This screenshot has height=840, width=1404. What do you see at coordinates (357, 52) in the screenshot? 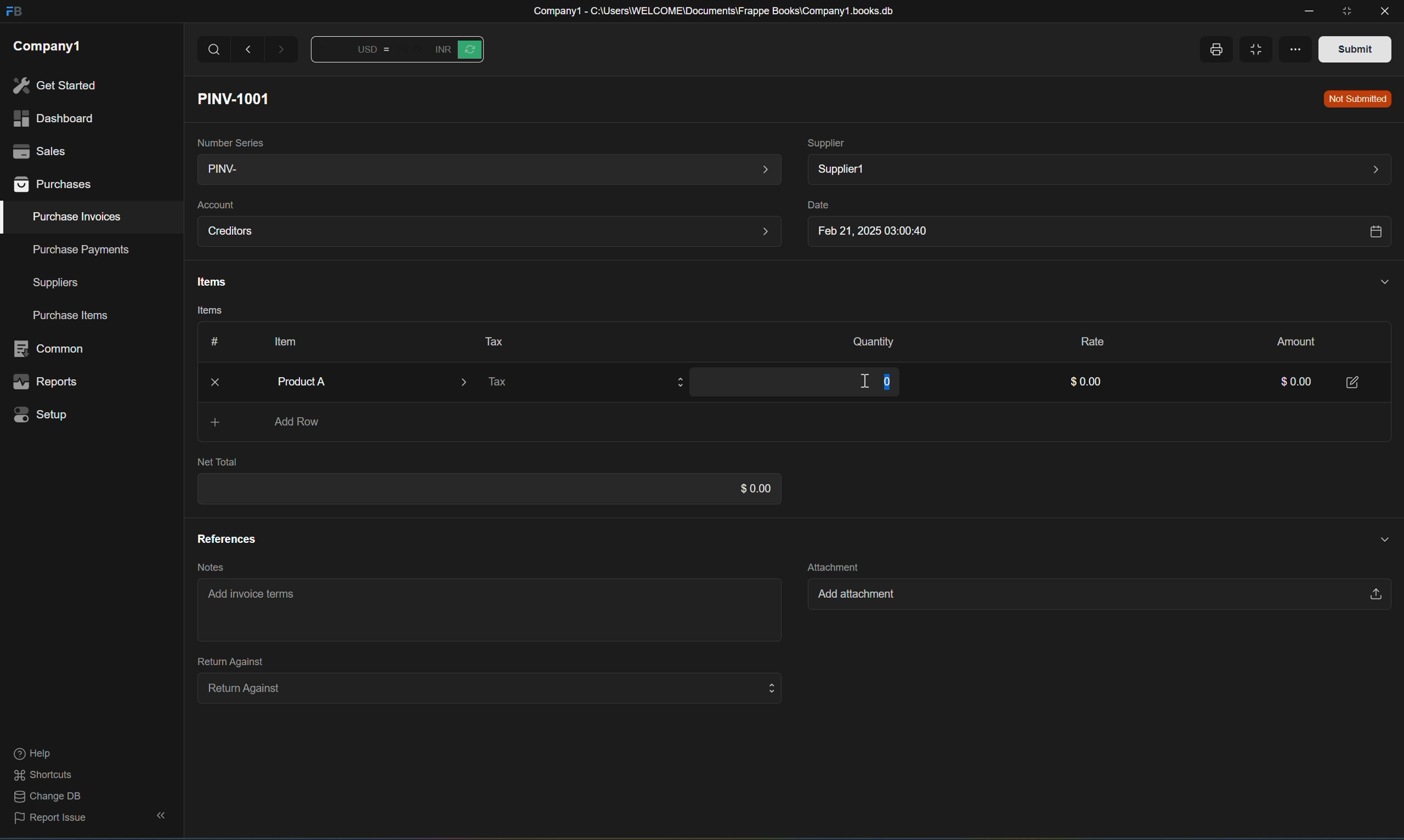
I see `Button` at bounding box center [357, 52].